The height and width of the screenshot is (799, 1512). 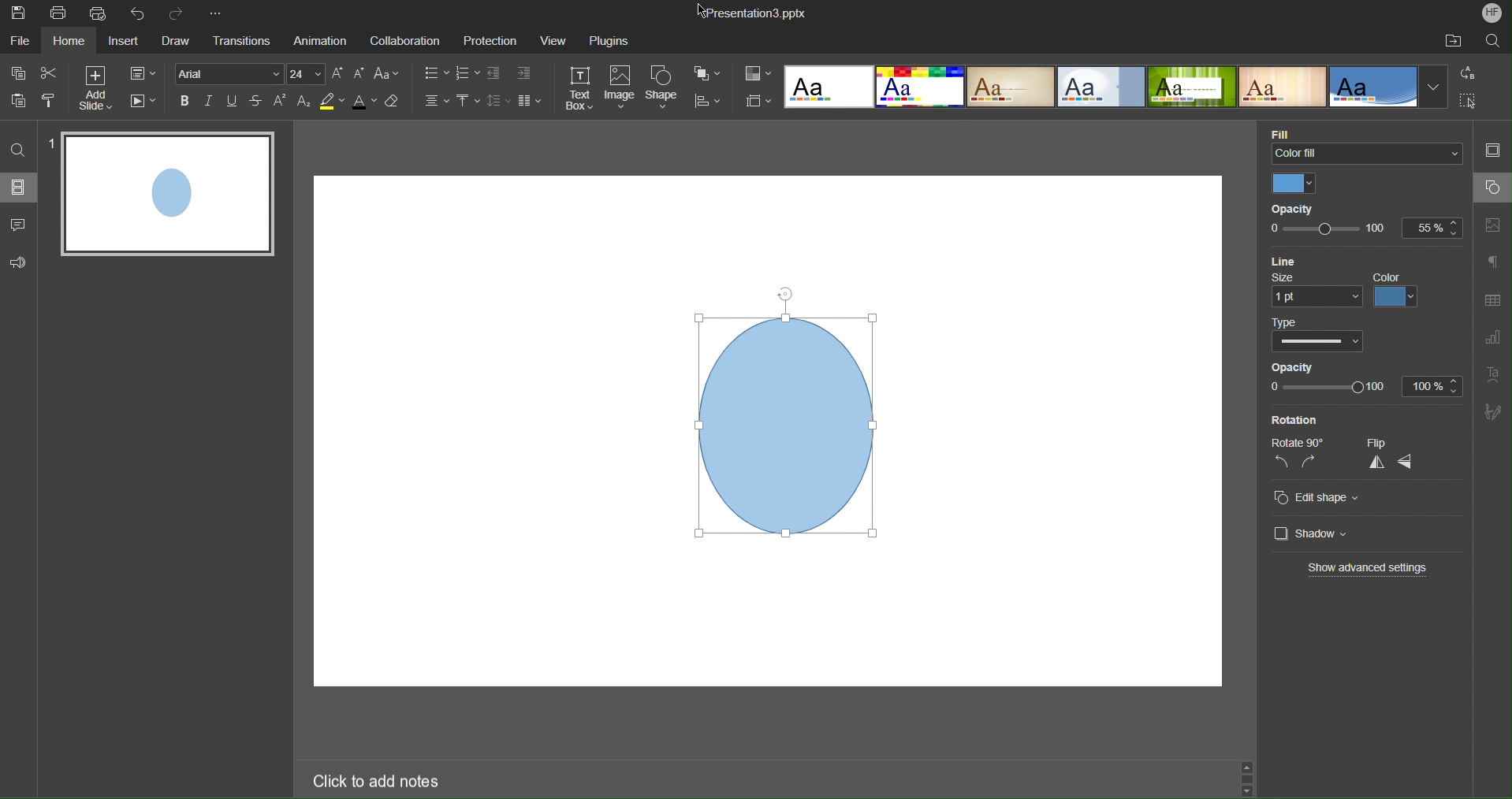 What do you see at coordinates (1285, 131) in the screenshot?
I see `Fill` at bounding box center [1285, 131].